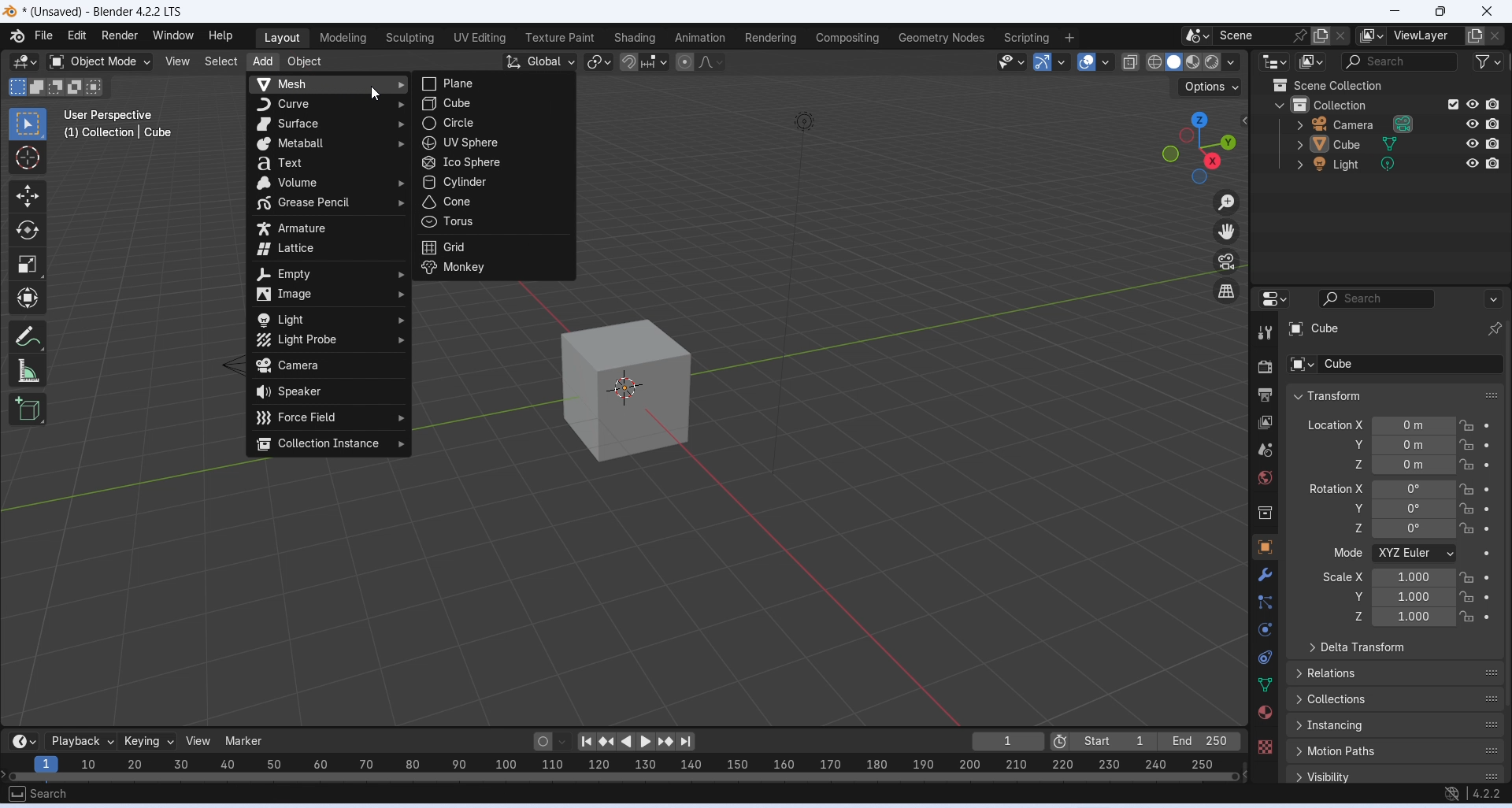  Describe the element at coordinates (24, 63) in the screenshot. I see `editor type` at that location.